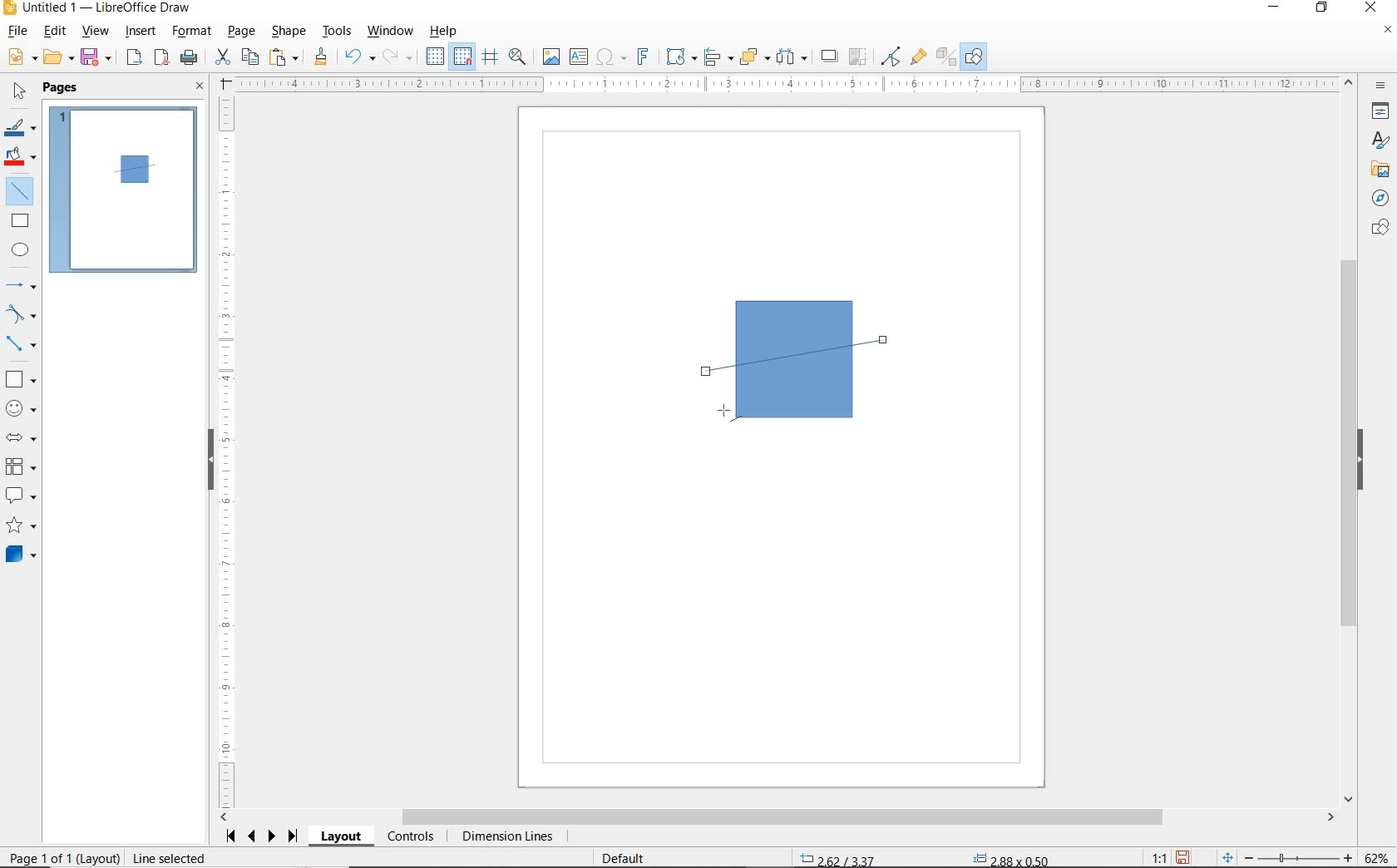 Image resolution: width=1397 pixels, height=868 pixels. What do you see at coordinates (192, 32) in the screenshot?
I see `FORMAT` at bounding box center [192, 32].